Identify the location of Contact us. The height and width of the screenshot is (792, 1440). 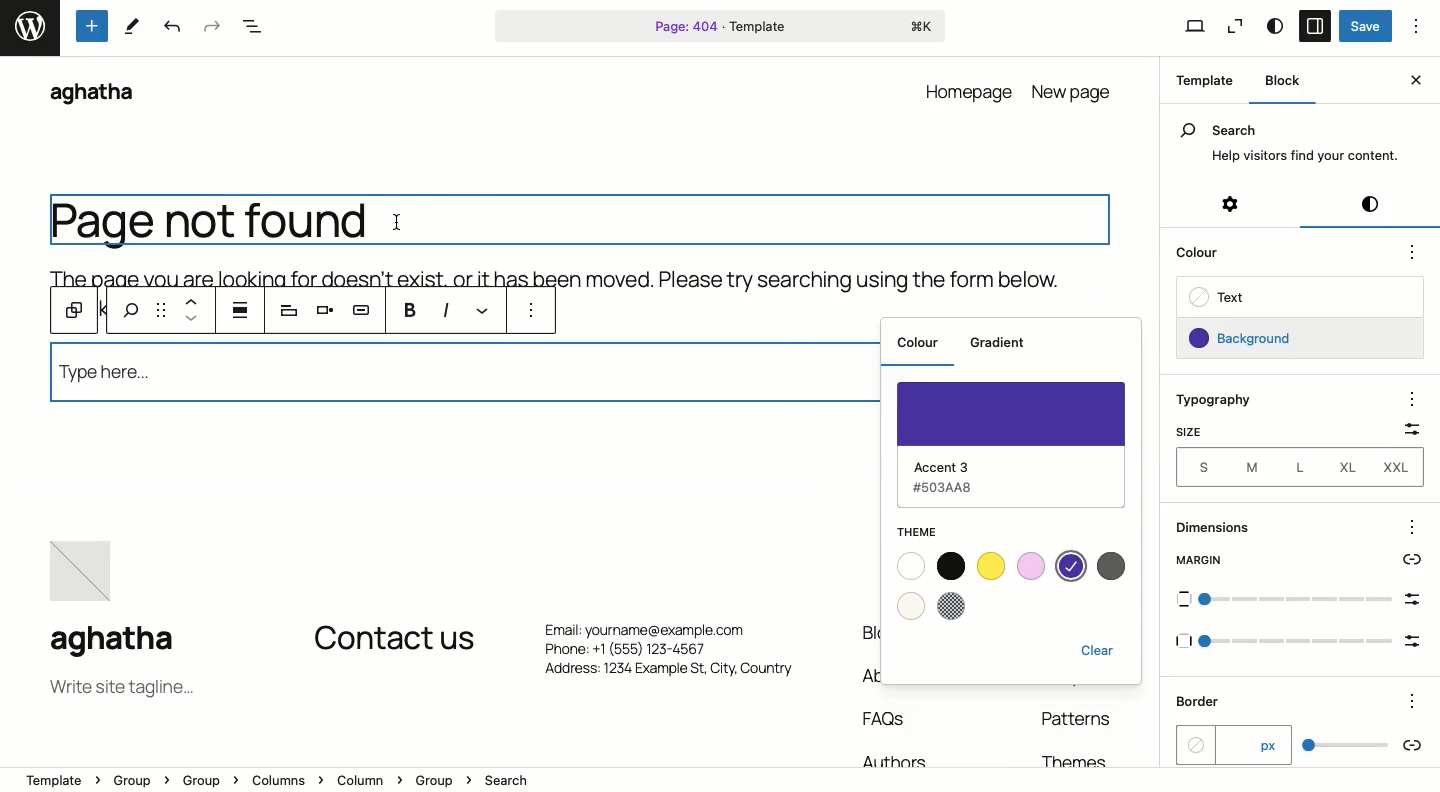
(394, 640).